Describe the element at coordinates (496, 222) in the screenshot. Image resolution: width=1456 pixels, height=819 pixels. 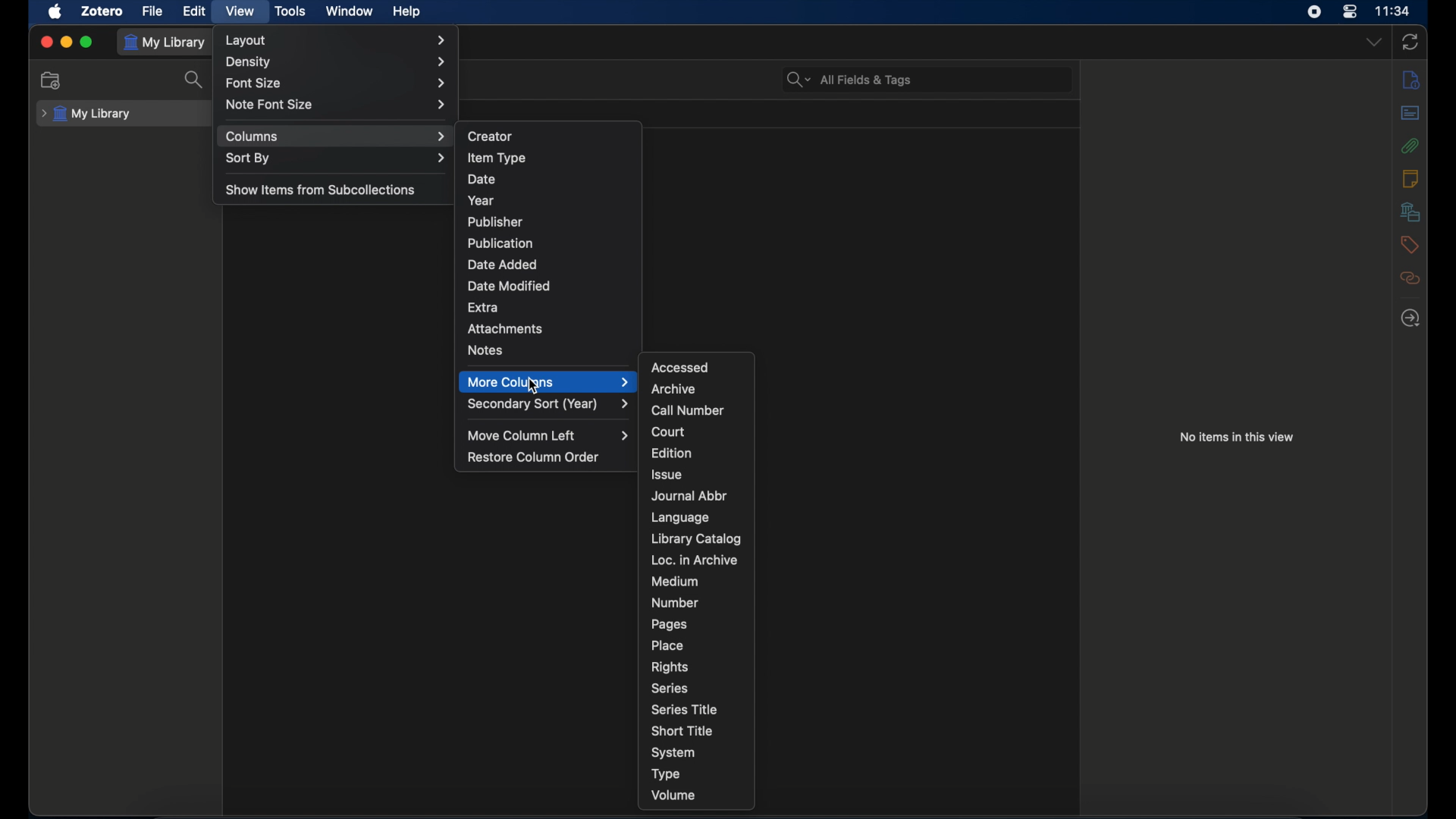
I see `publisher` at that location.